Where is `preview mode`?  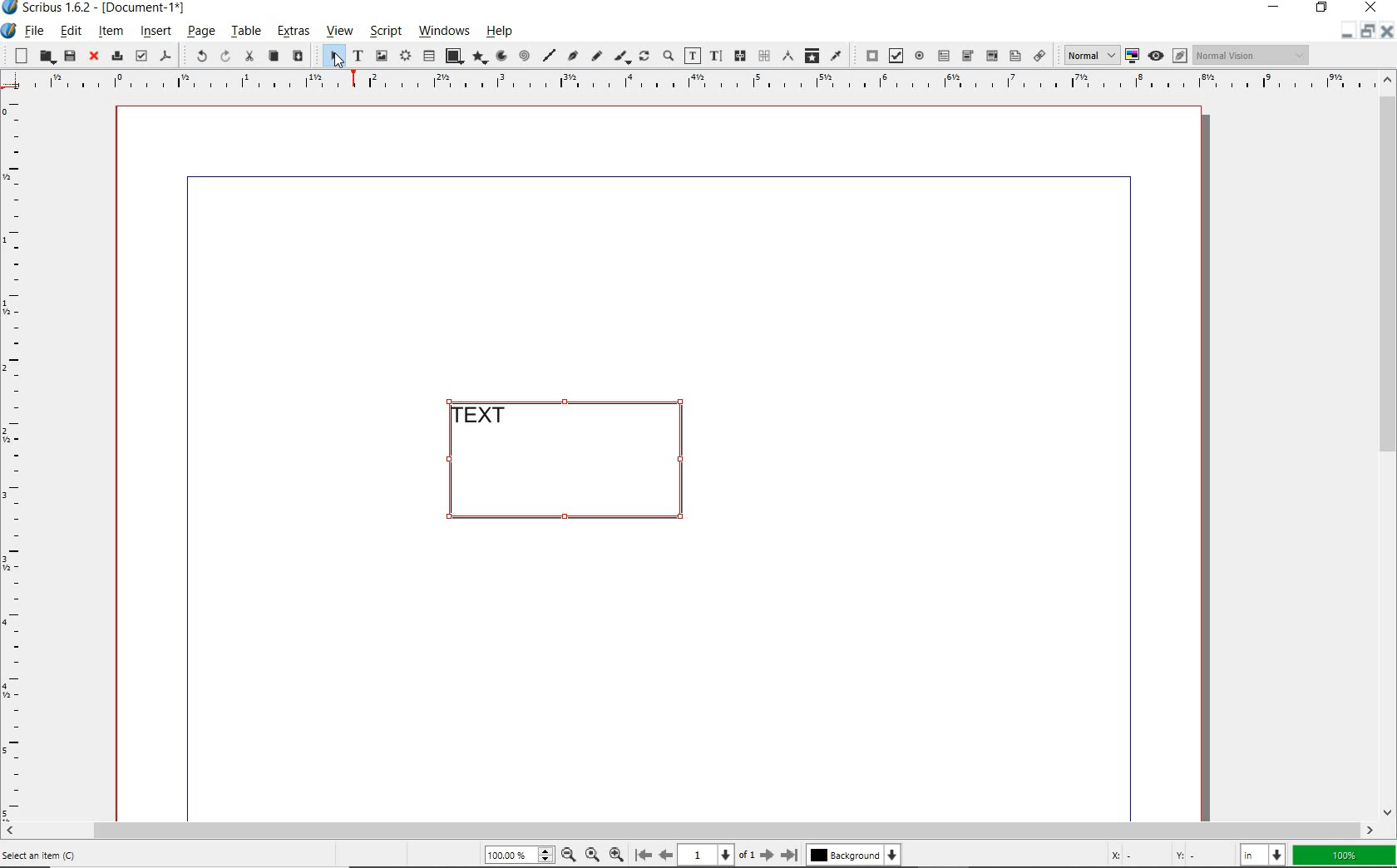
preview mode is located at coordinates (1156, 56).